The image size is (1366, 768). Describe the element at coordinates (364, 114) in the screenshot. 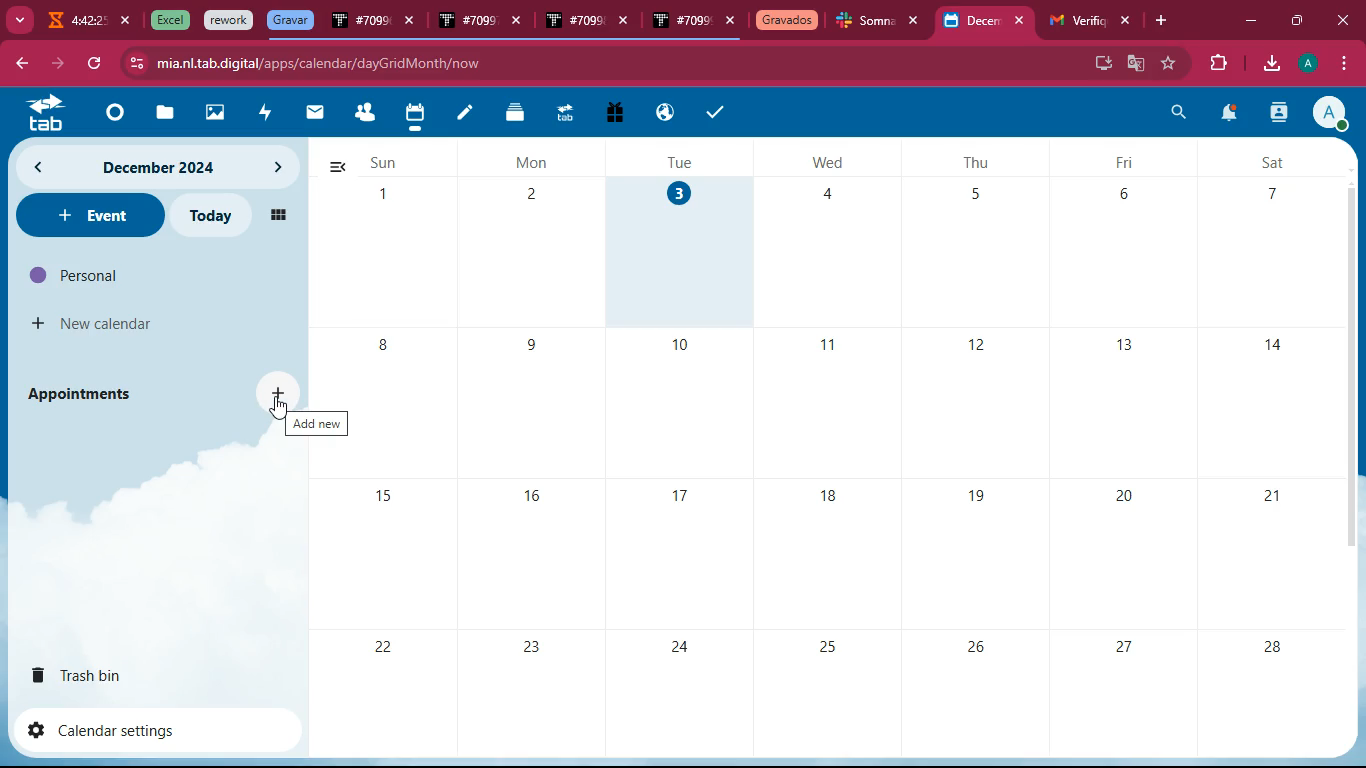

I see `people` at that location.